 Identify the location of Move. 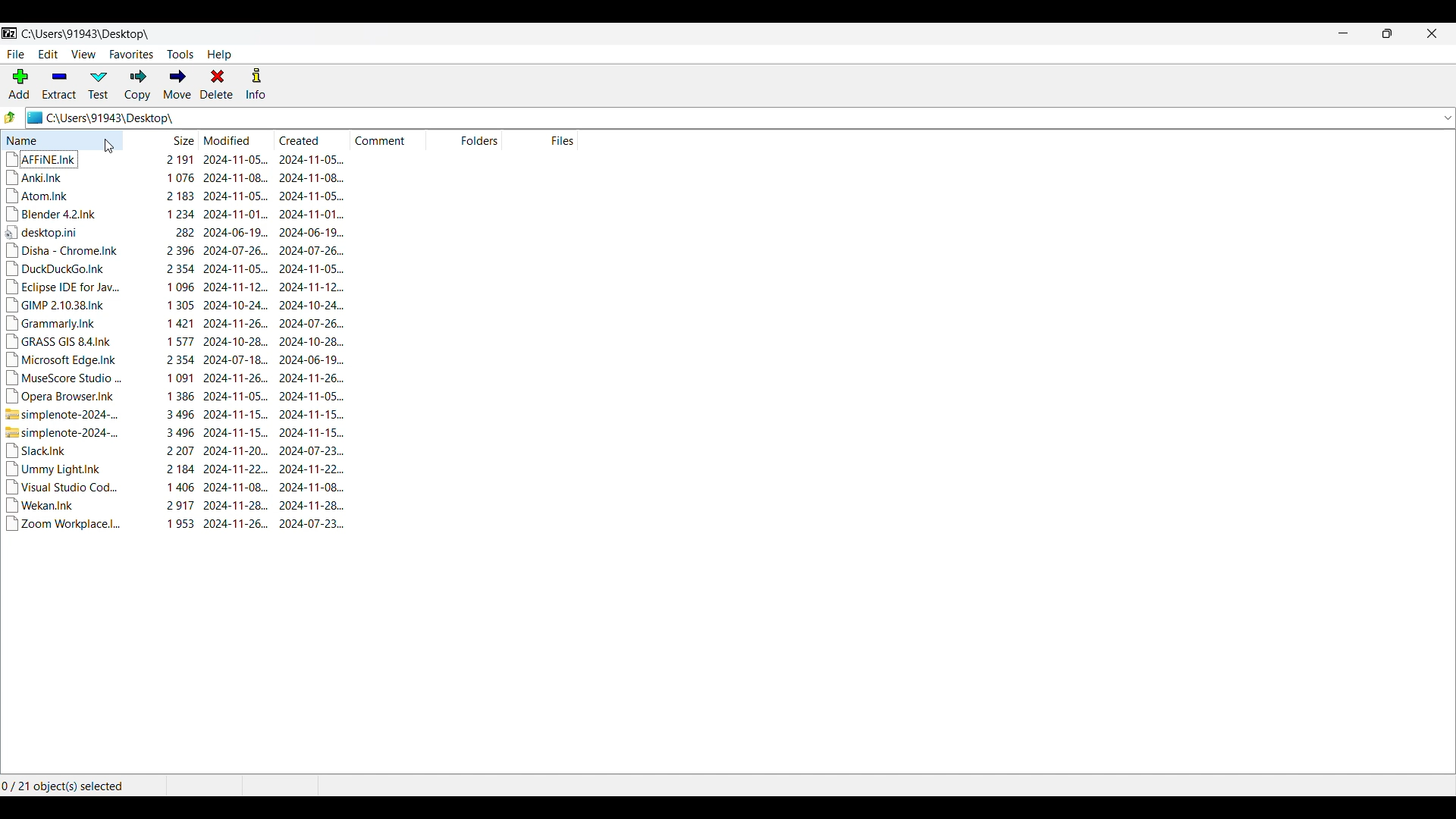
(177, 84).